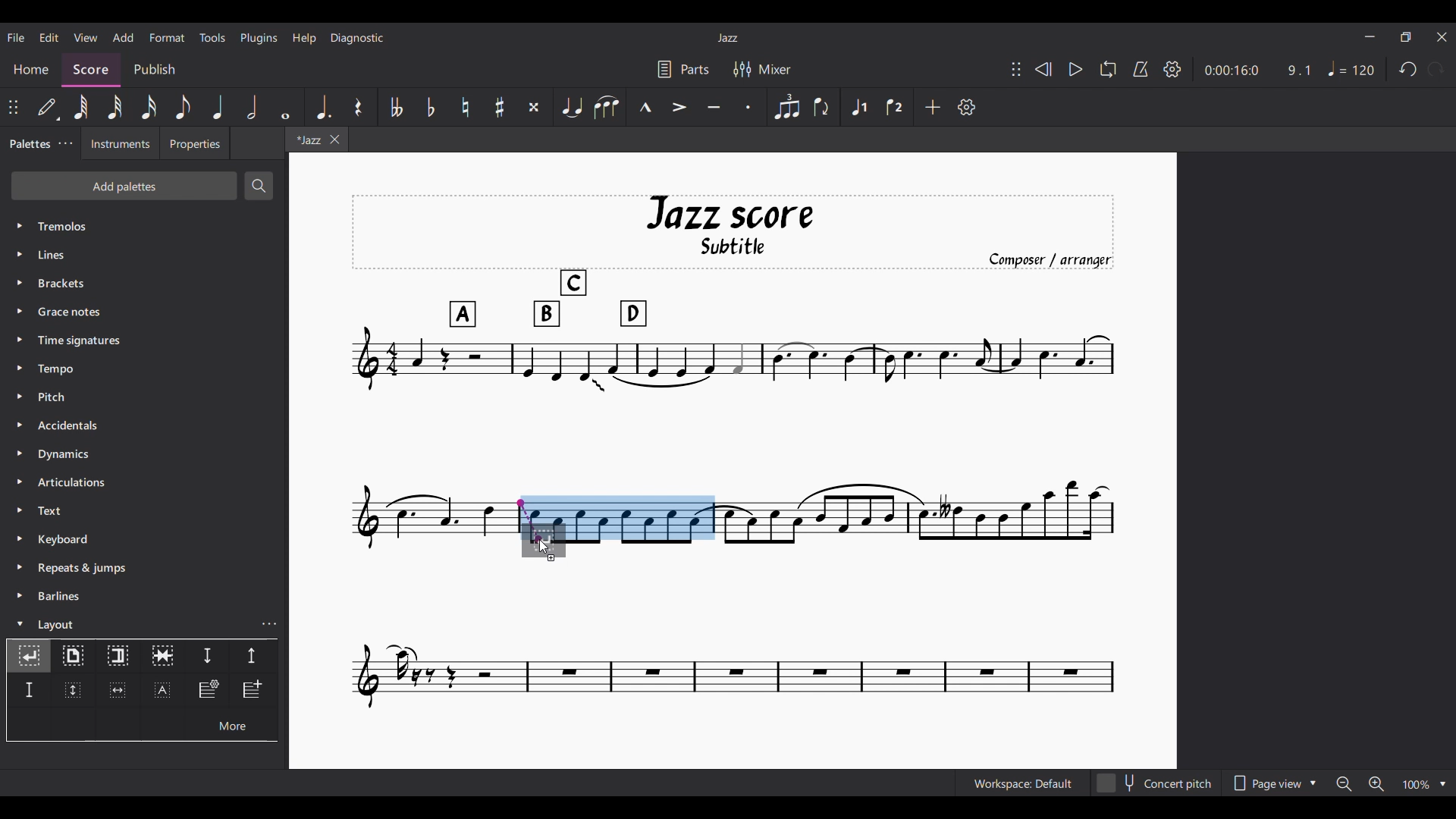 This screenshot has height=819, width=1456. What do you see at coordinates (762, 70) in the screenshot?
I see `Mixer settings` at bounding box center [762, 70].